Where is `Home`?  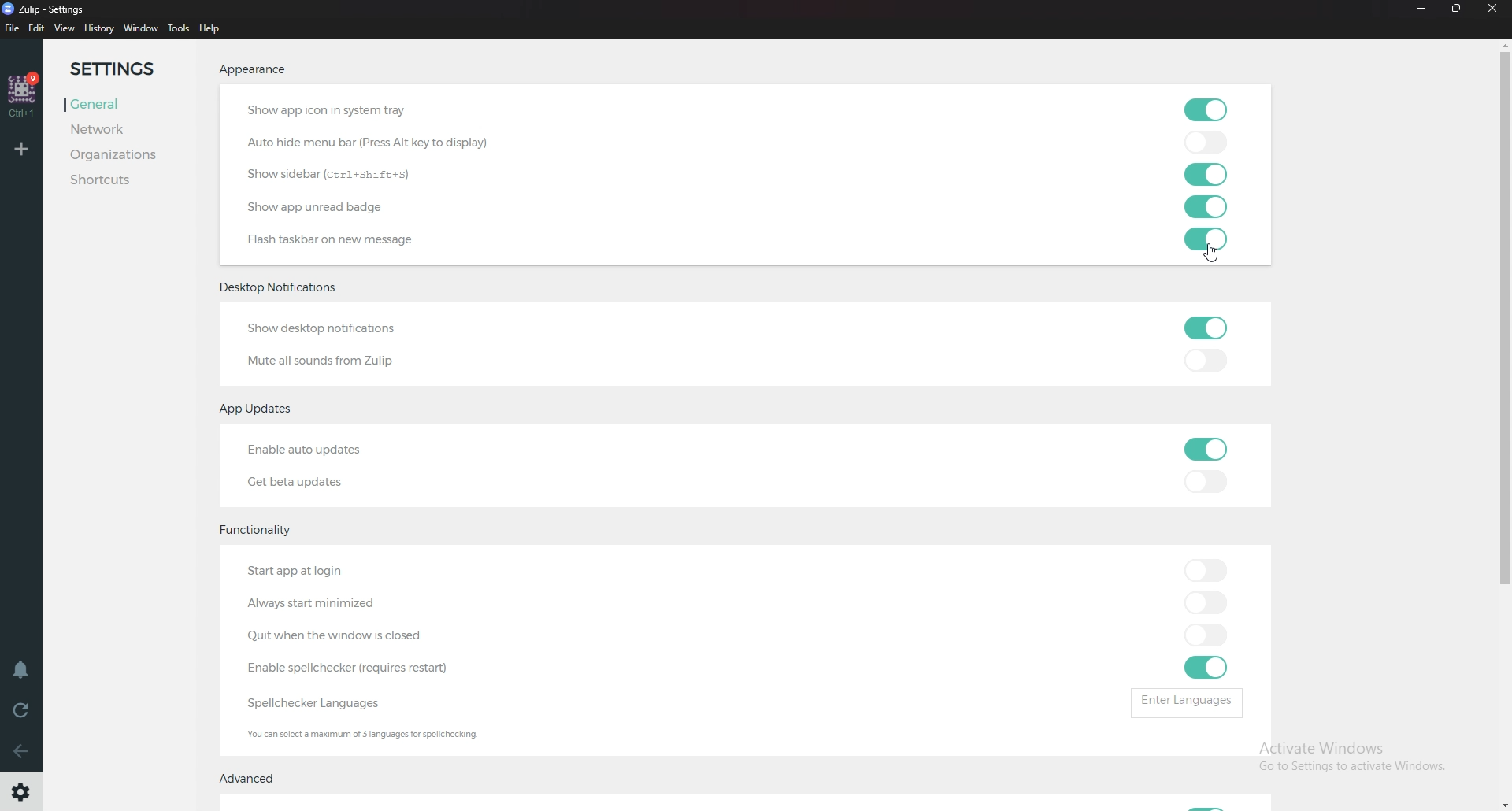
Home is located at coordinates (23, 93).